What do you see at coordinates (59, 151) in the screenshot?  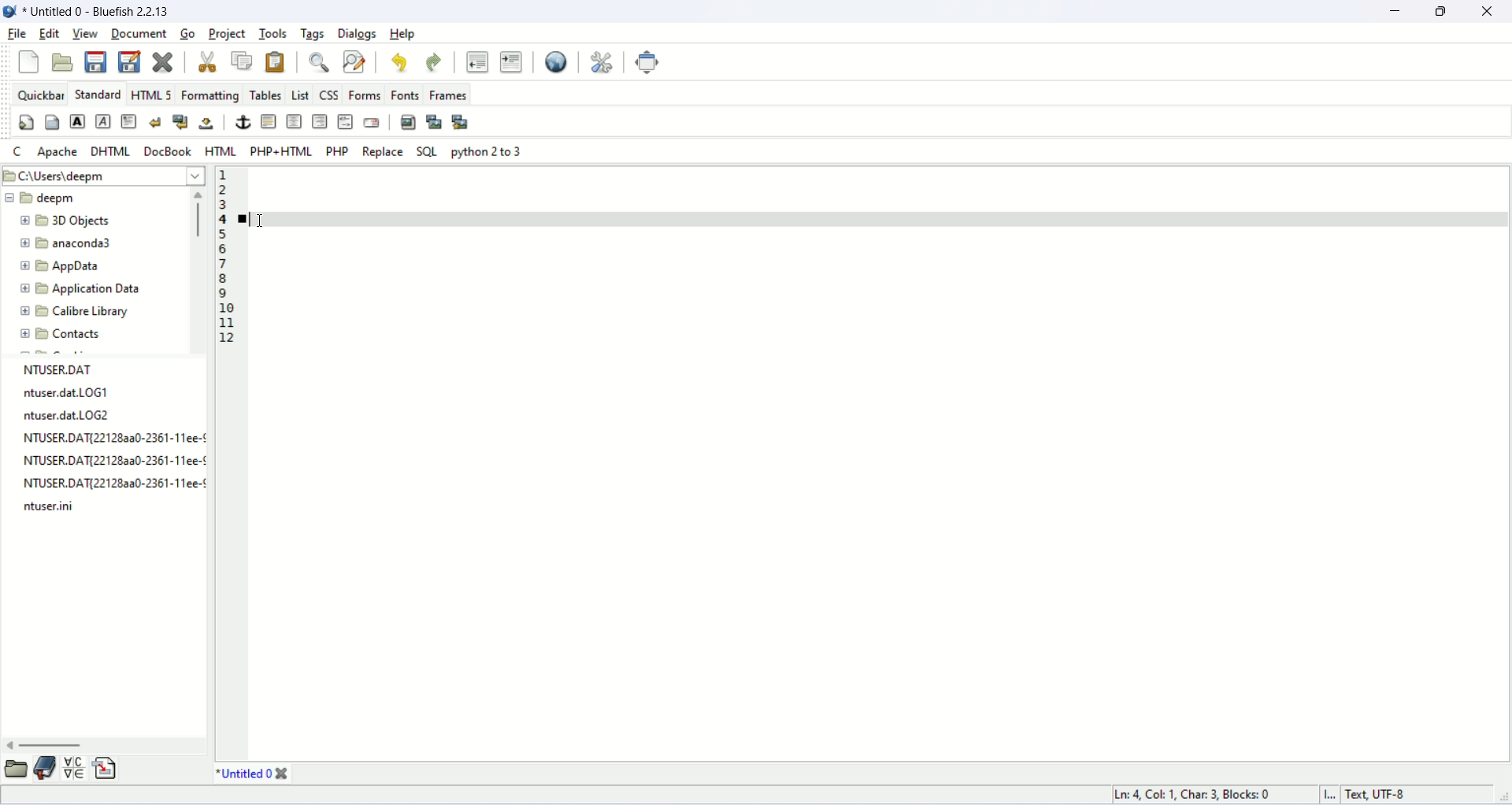 I see `apache` at bounding box center [59, 151].